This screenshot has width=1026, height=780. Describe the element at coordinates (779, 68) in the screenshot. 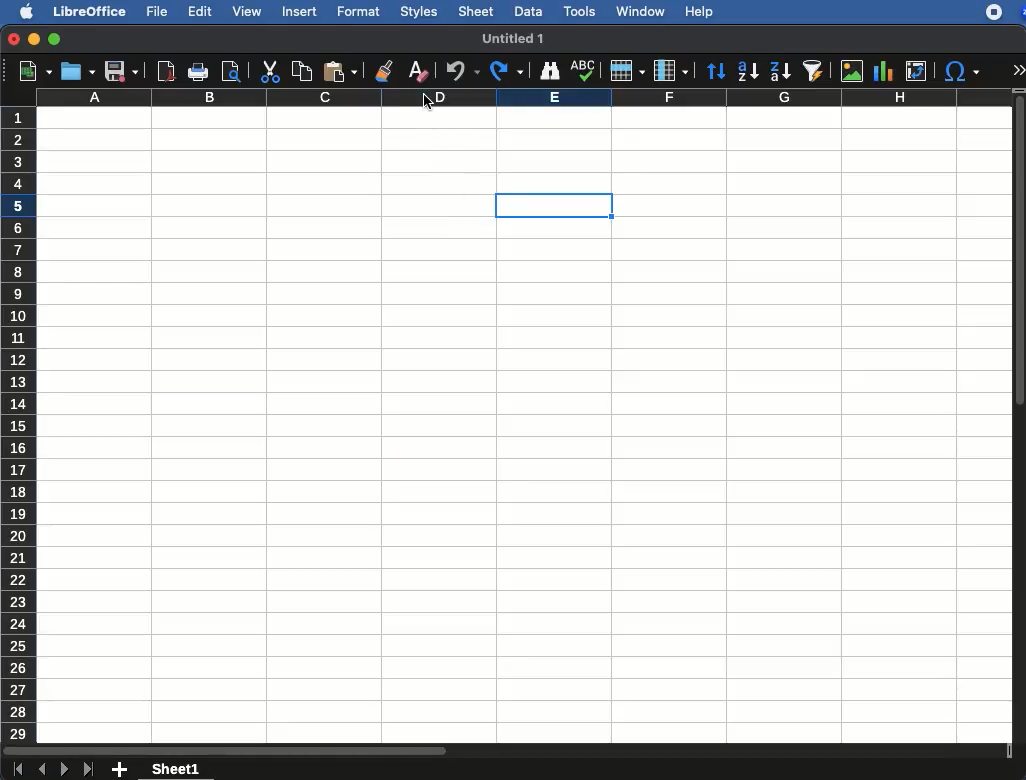

I see `descendinga` at that location.